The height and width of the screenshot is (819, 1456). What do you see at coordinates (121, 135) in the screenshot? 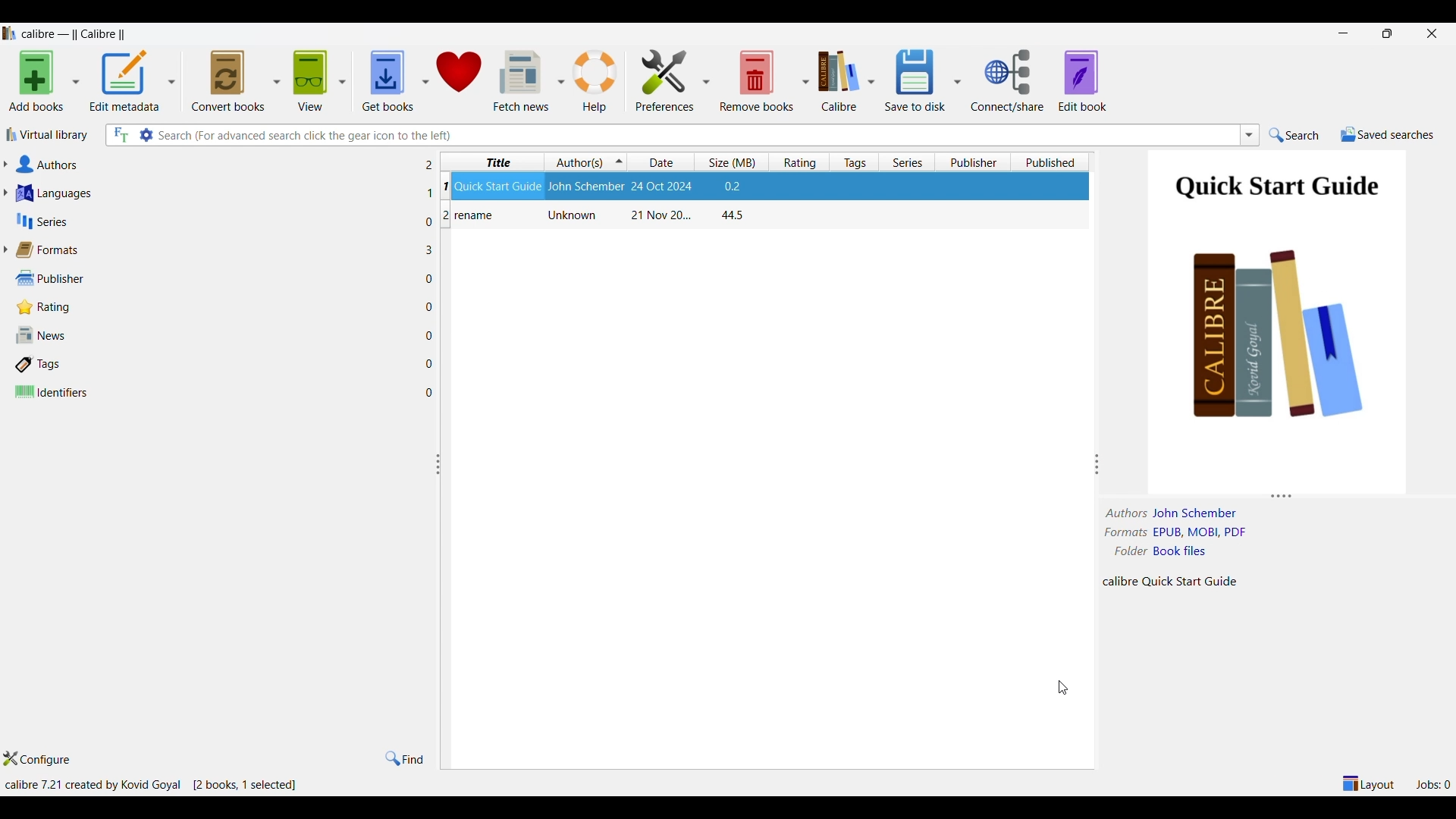
I see `Search all files` at bounding box center [121, 135].